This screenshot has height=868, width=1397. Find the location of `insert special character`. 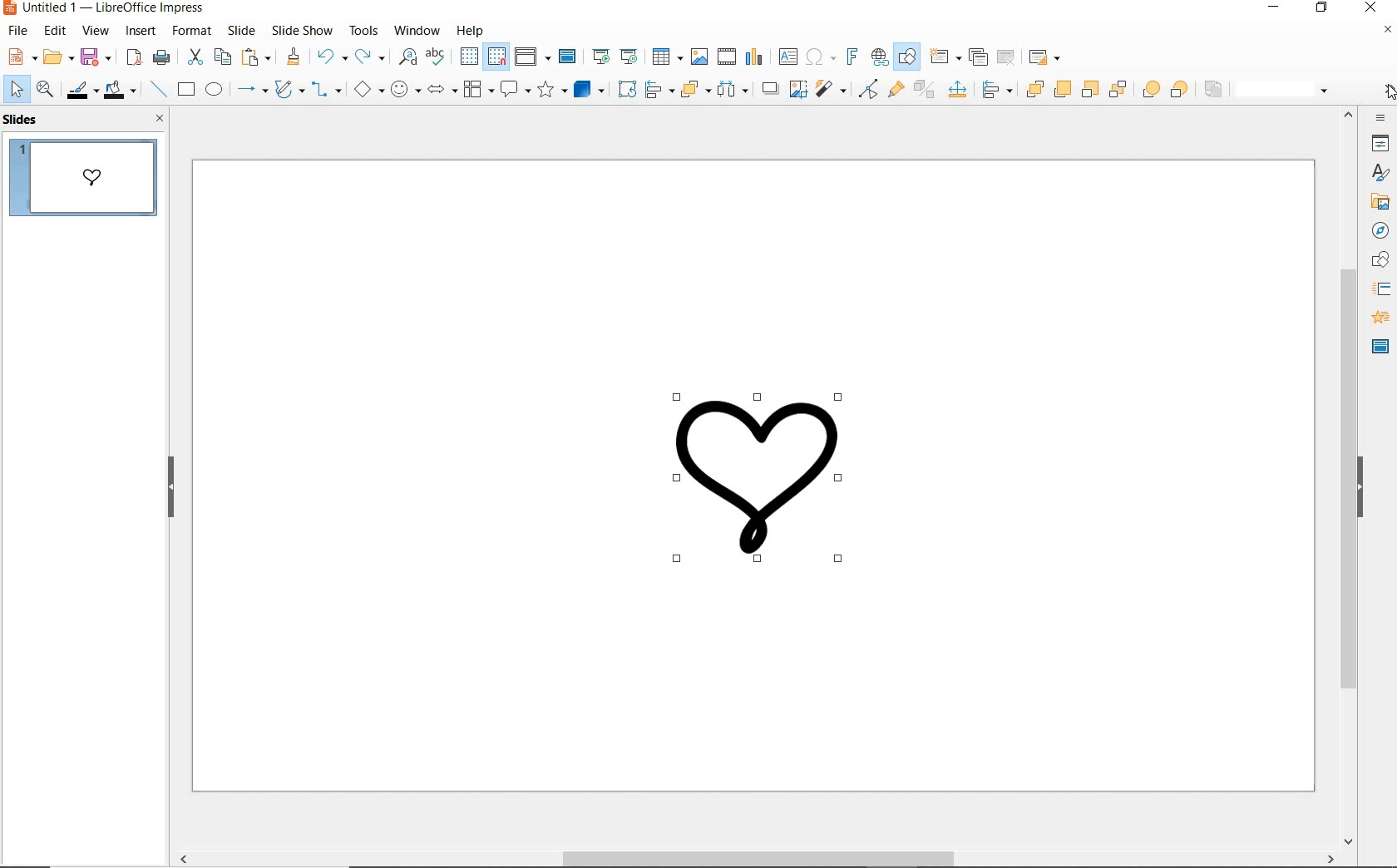

insert special character is located at coordinates (820, 57).